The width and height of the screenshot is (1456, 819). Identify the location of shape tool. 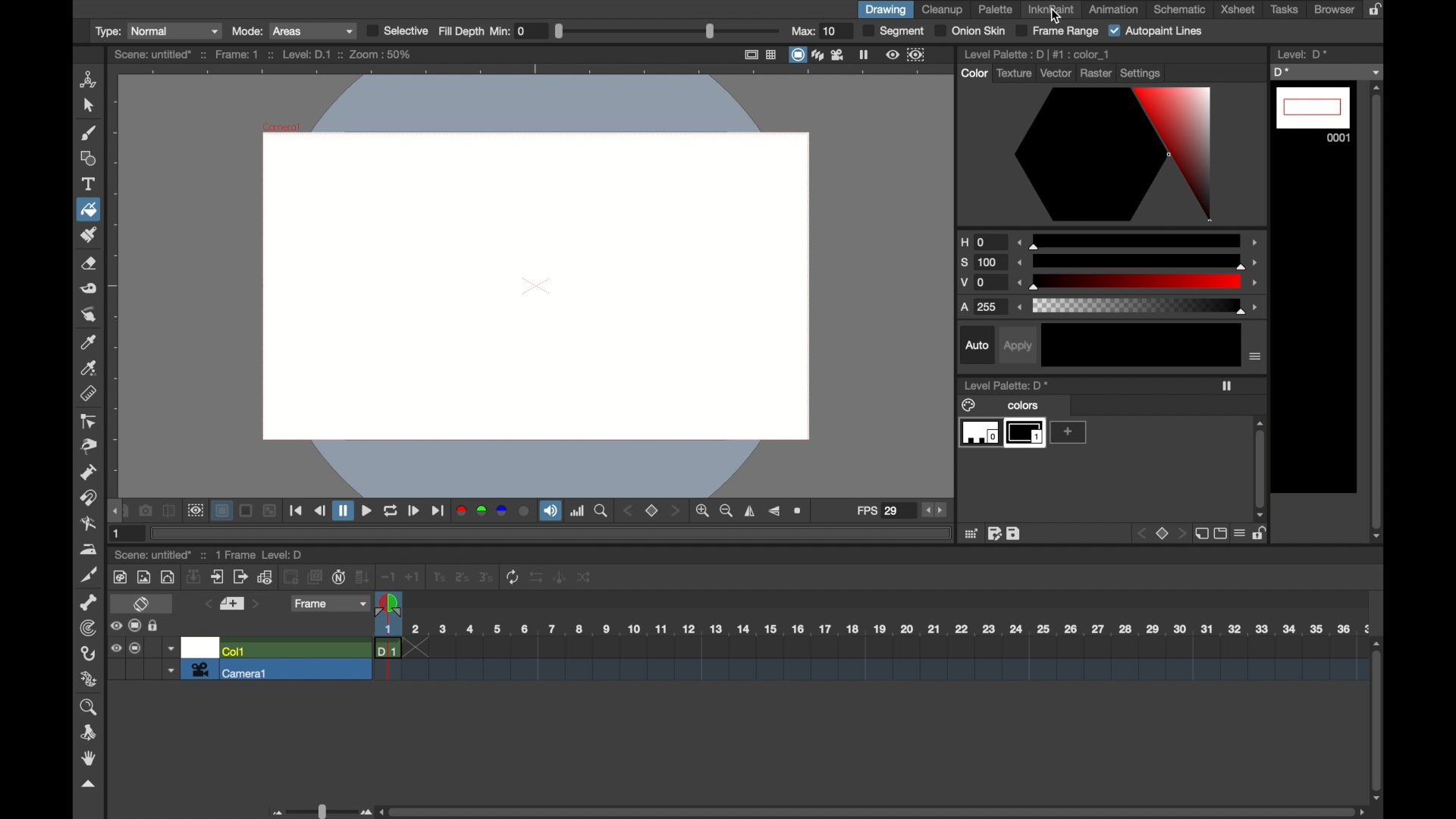
(87, 158).